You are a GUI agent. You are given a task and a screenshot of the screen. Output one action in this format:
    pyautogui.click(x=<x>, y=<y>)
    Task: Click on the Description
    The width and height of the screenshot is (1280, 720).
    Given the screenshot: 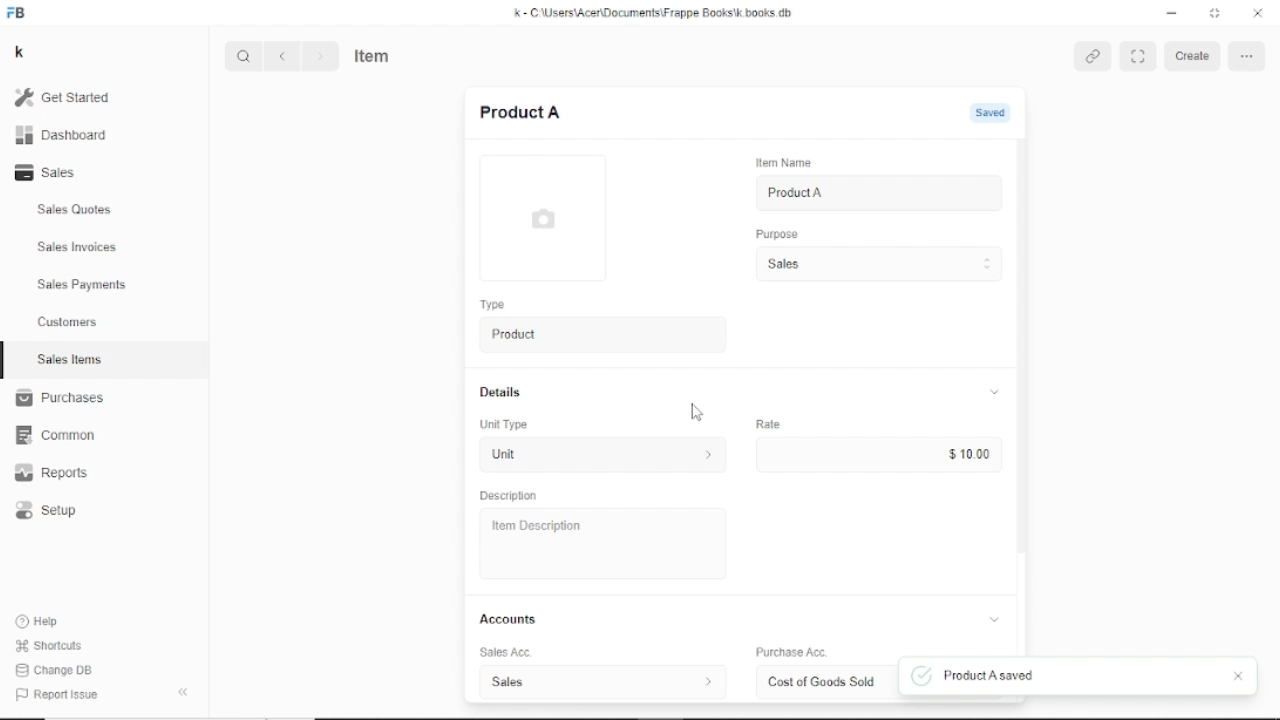 What is the action you would take?
    pyautogui.click(x=509, y=496)
    